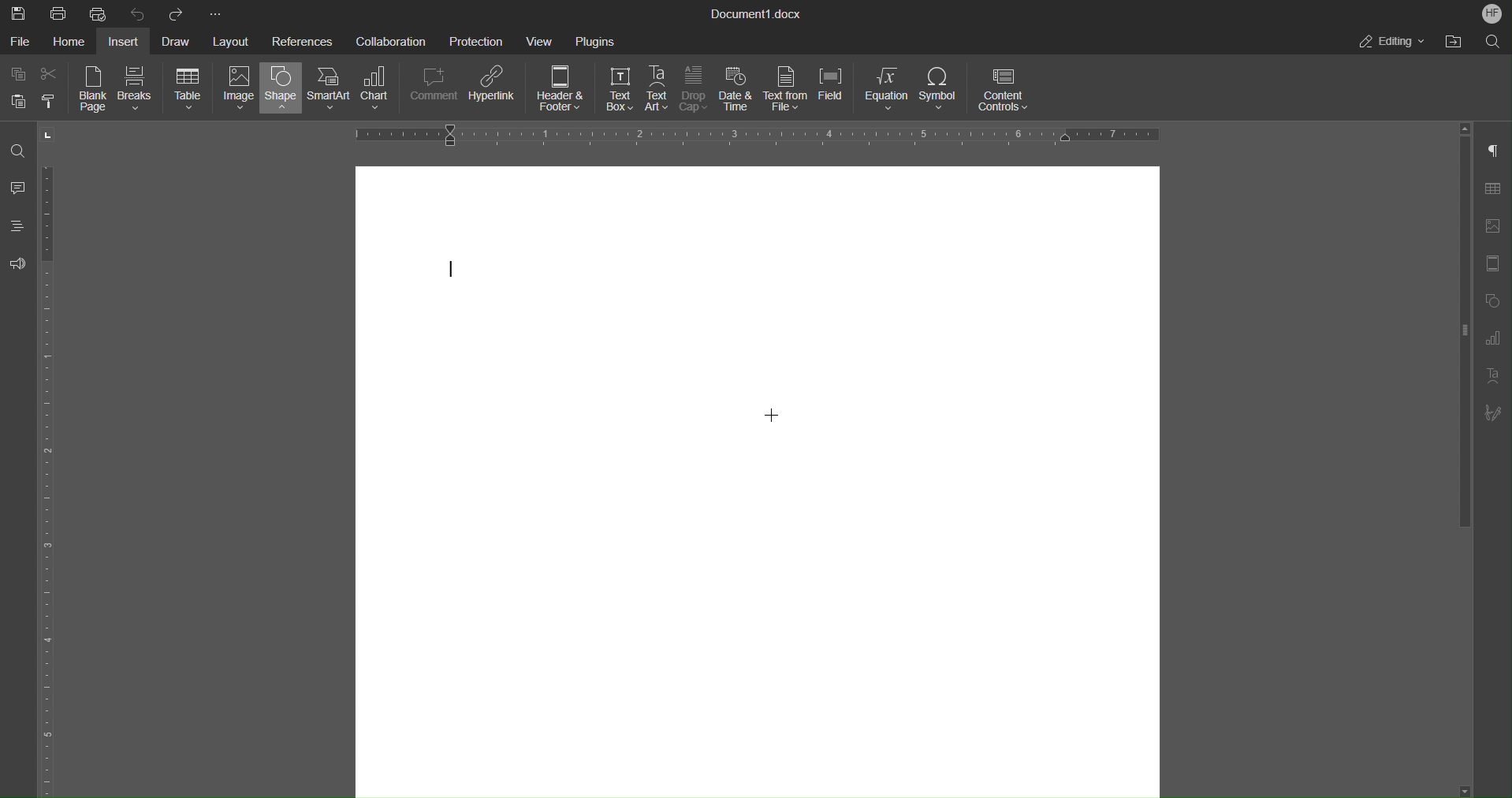 This screenshot has width=1512, height=798. What do you see at coordinates (738, 91) in the screenshot?
I see `Date & Time` at bounding box center [738, 91].